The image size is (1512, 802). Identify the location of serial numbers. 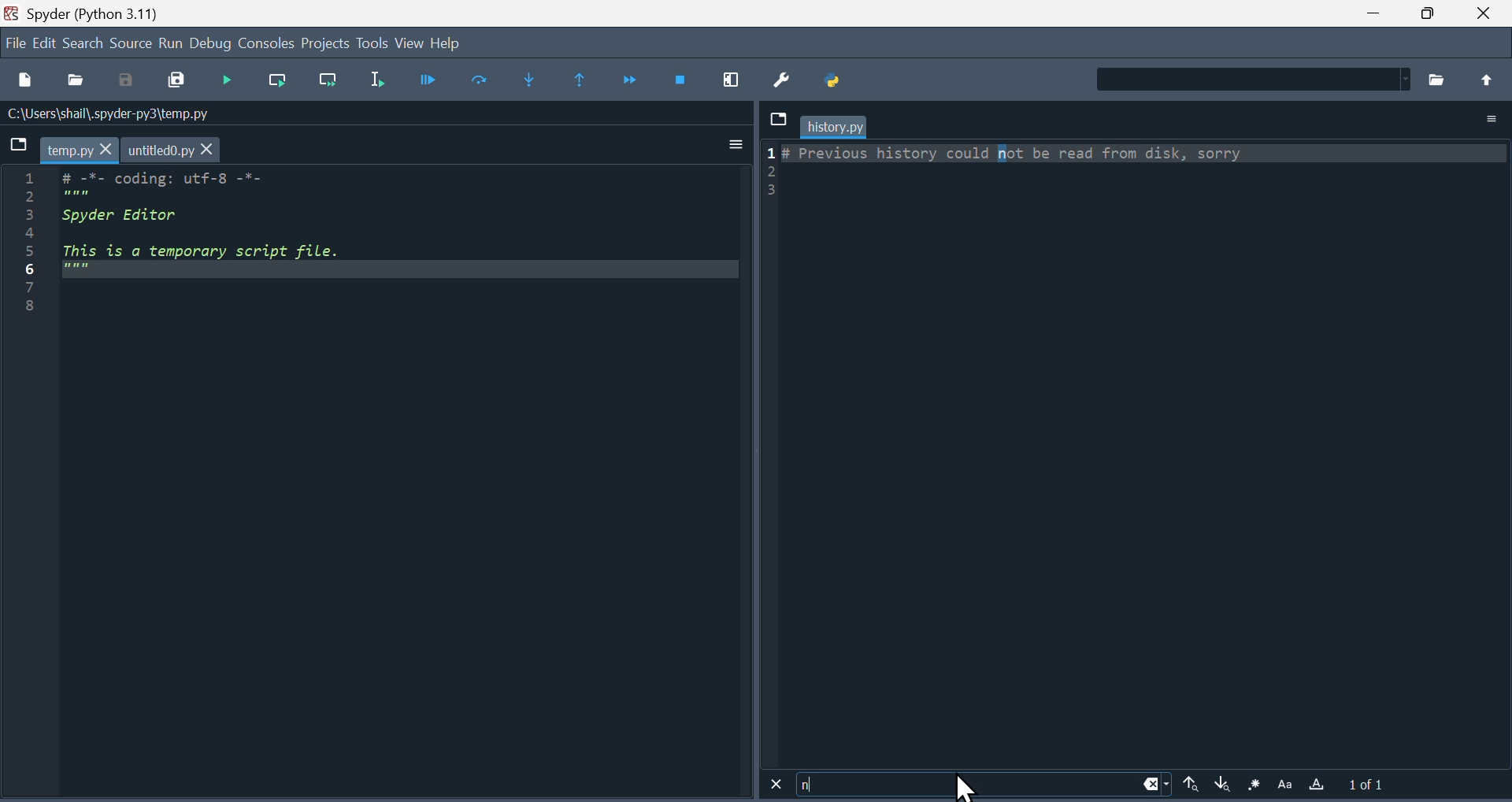
(769, 173).